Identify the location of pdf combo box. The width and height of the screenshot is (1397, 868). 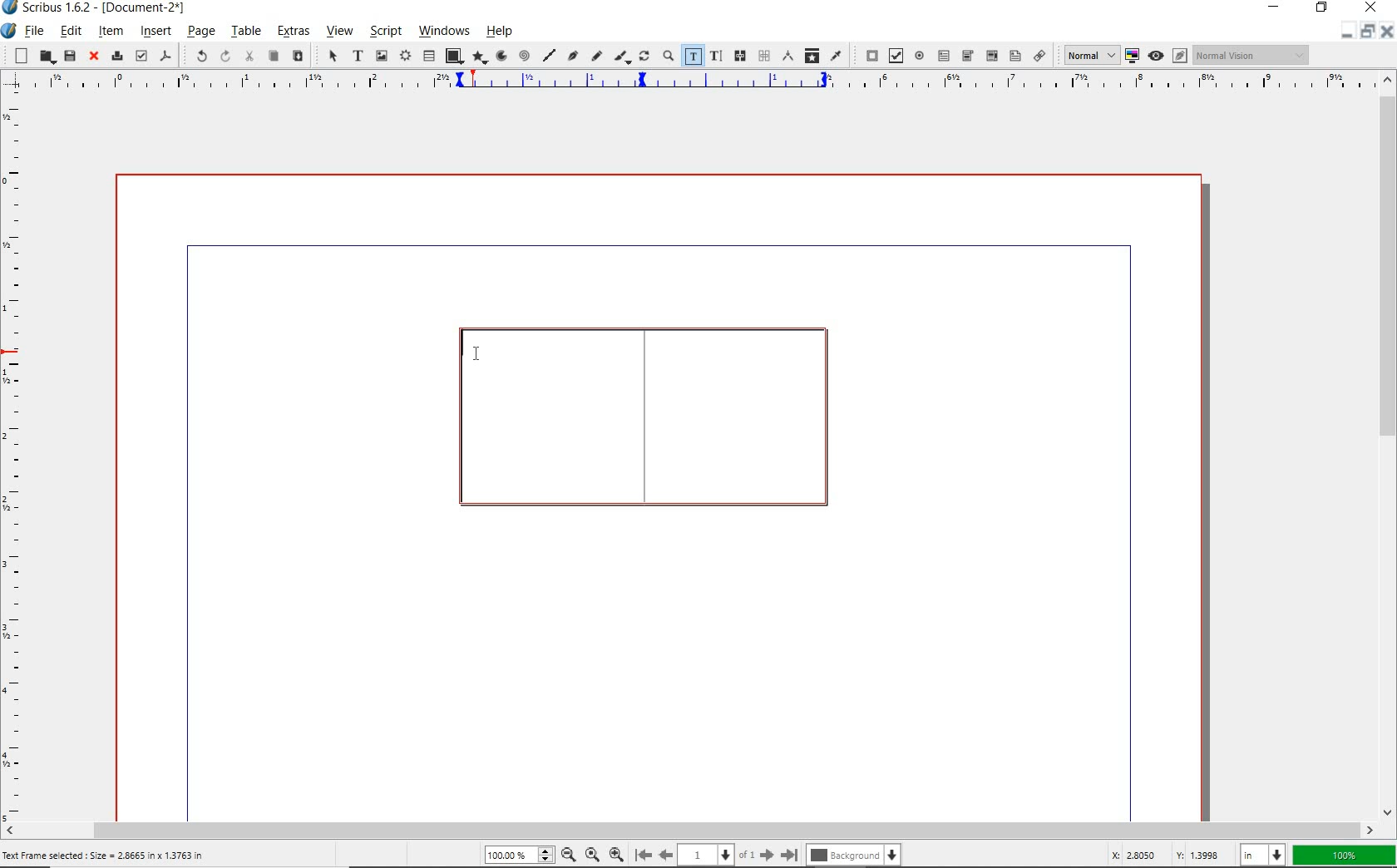
(968, 56).